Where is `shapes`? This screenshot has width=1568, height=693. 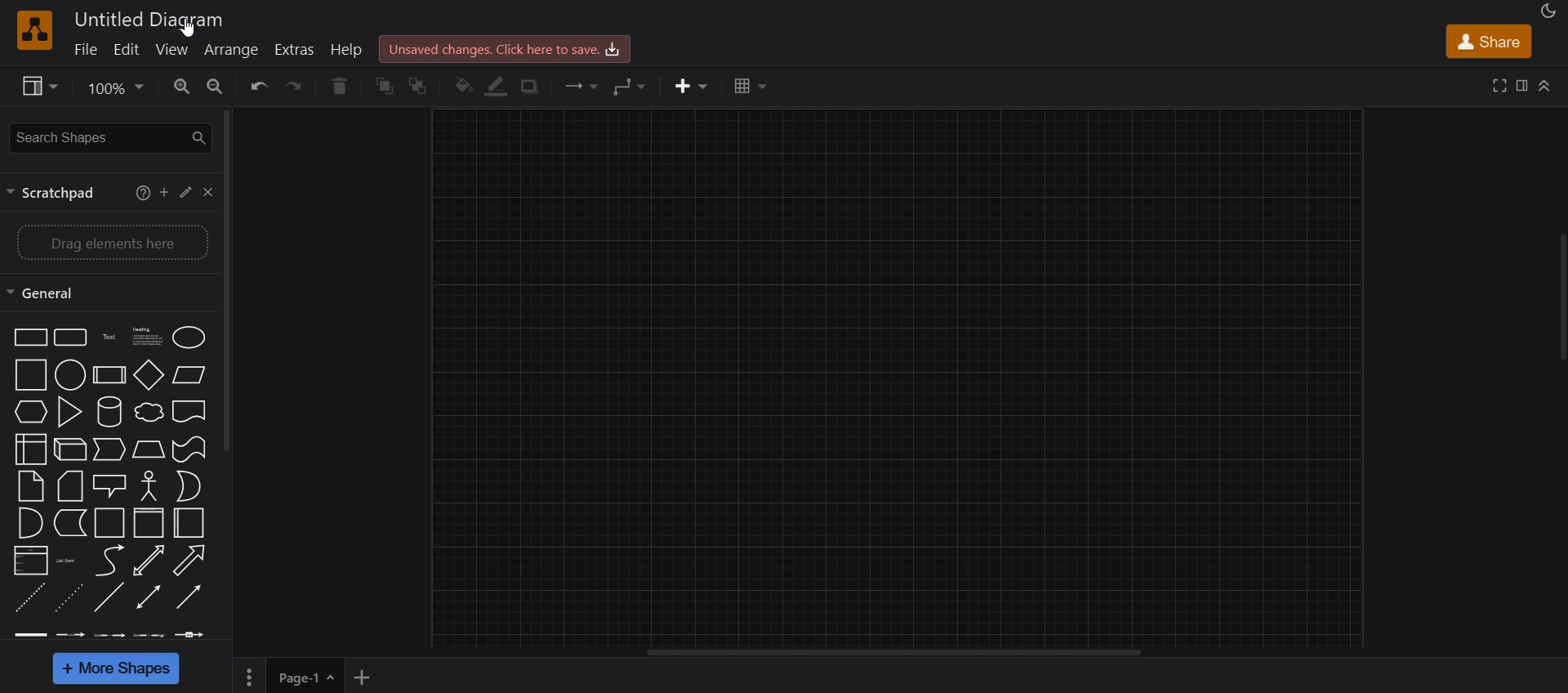 shapes is located at coordinates (113, 485).